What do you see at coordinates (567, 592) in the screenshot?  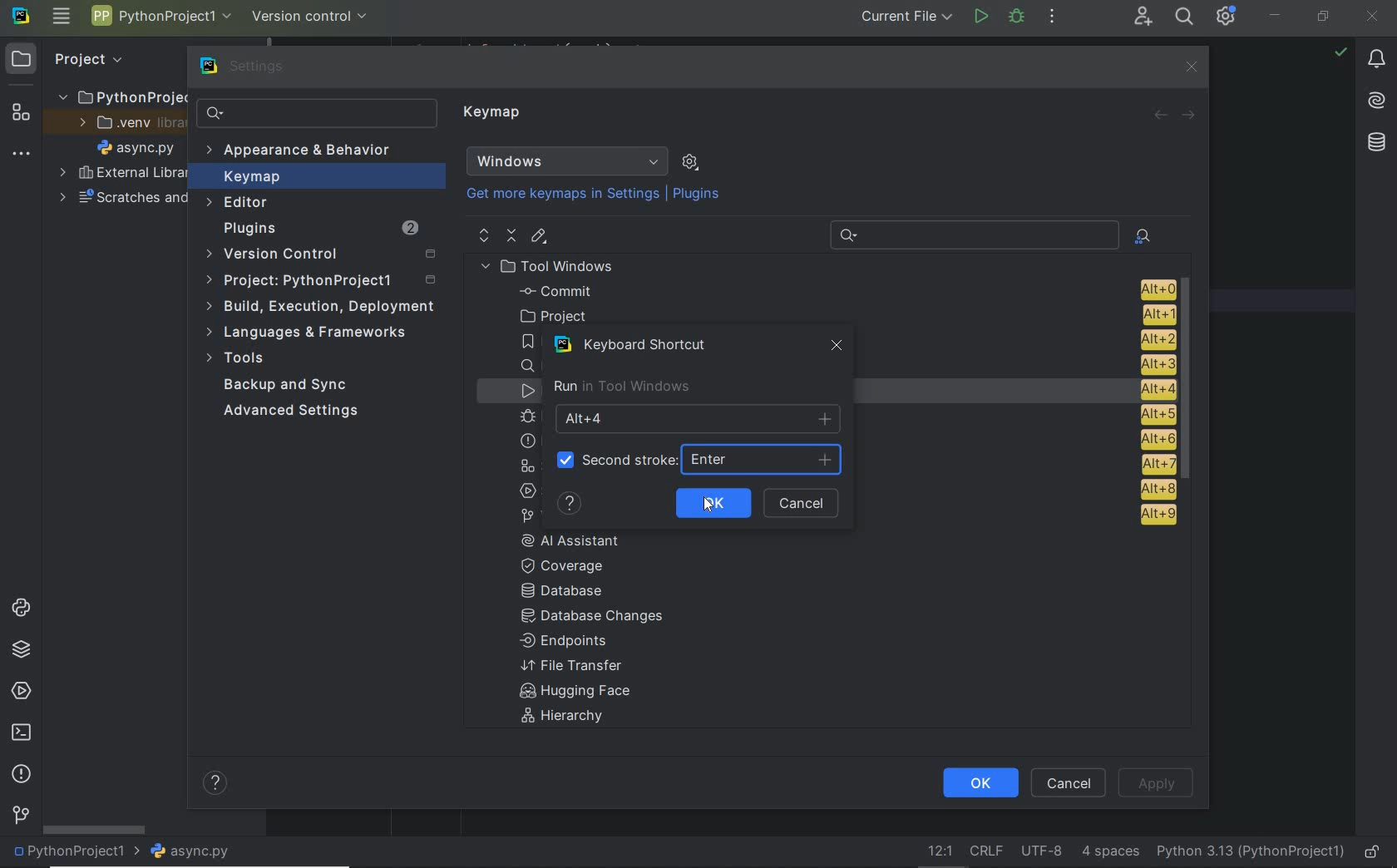 I see `Database` at bounding box center [567, 592].